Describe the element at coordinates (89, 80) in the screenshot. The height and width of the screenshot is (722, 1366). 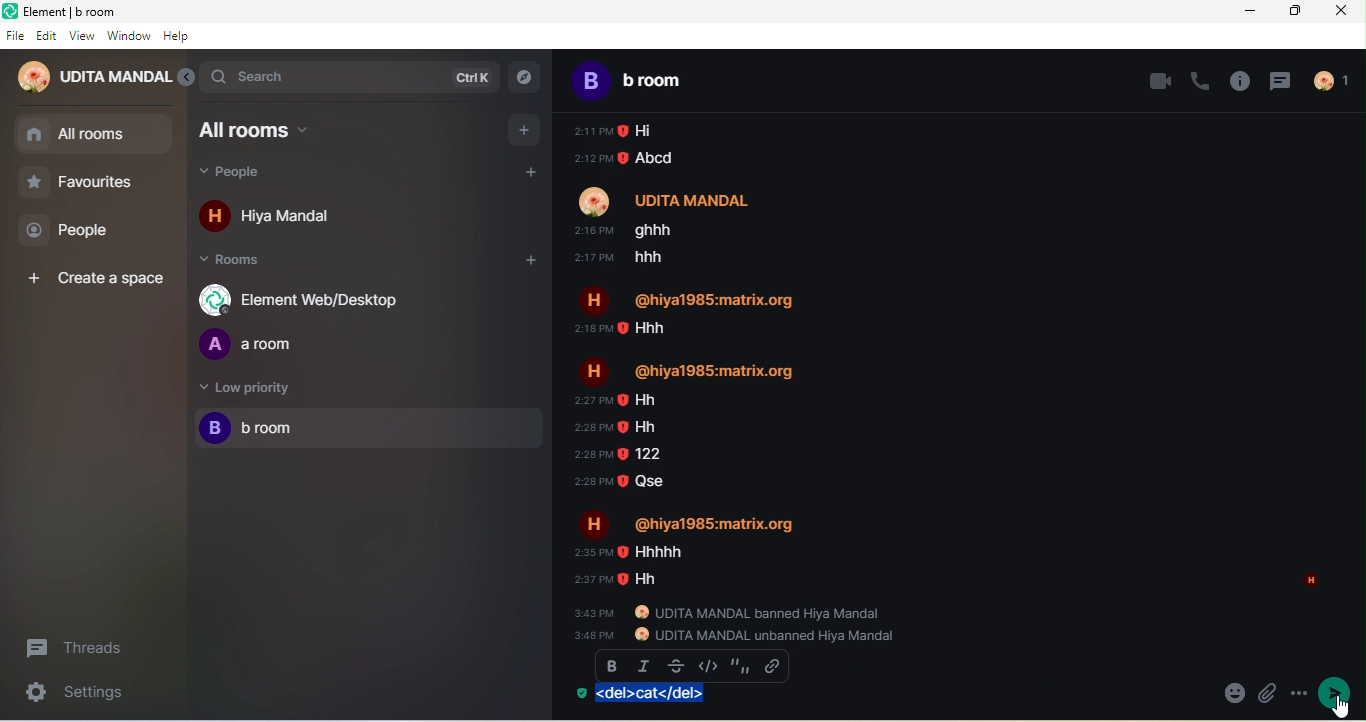
I see `udita mandal` at that location.